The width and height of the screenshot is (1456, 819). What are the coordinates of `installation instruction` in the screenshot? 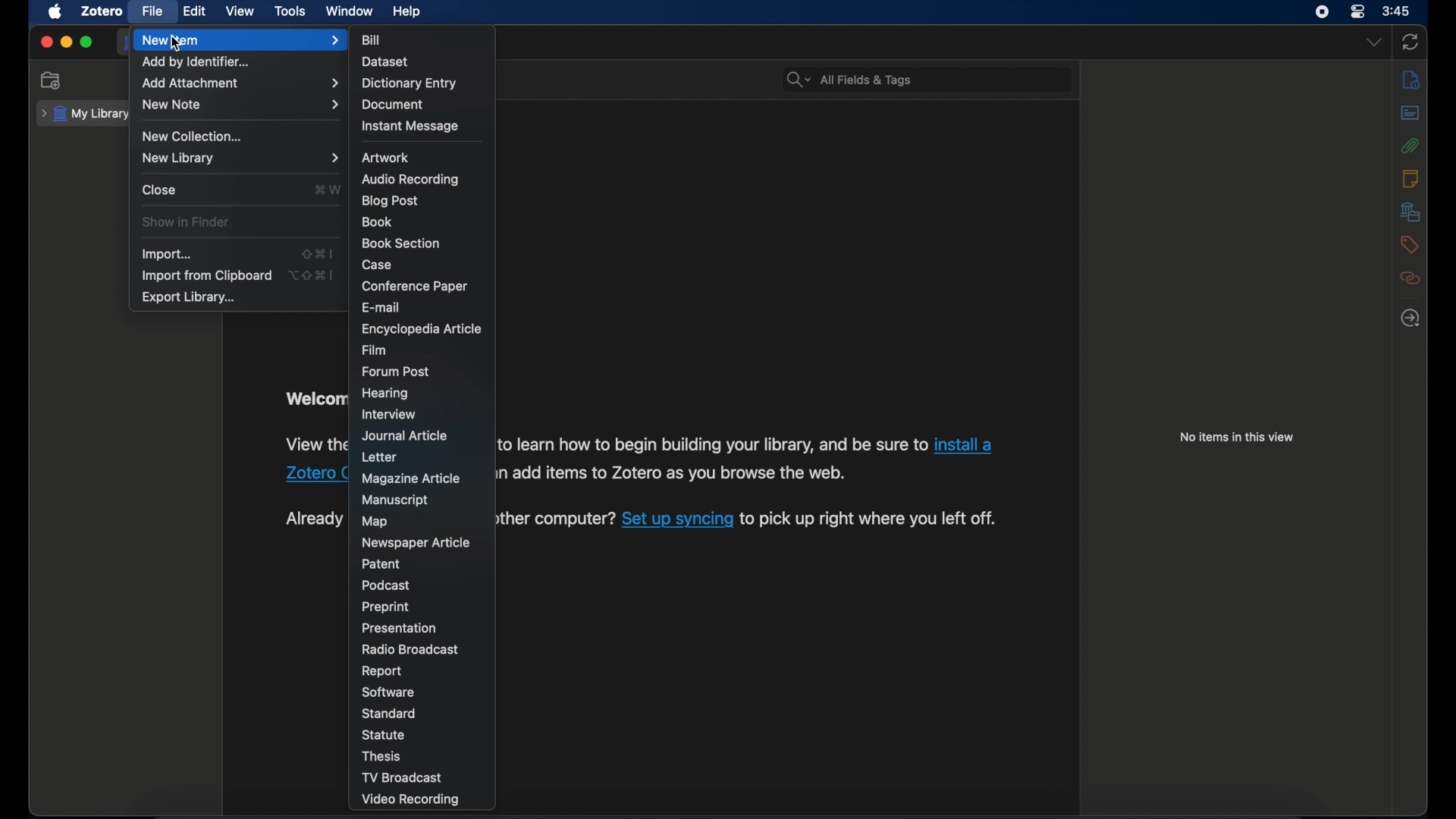 It's located at (312, 460).